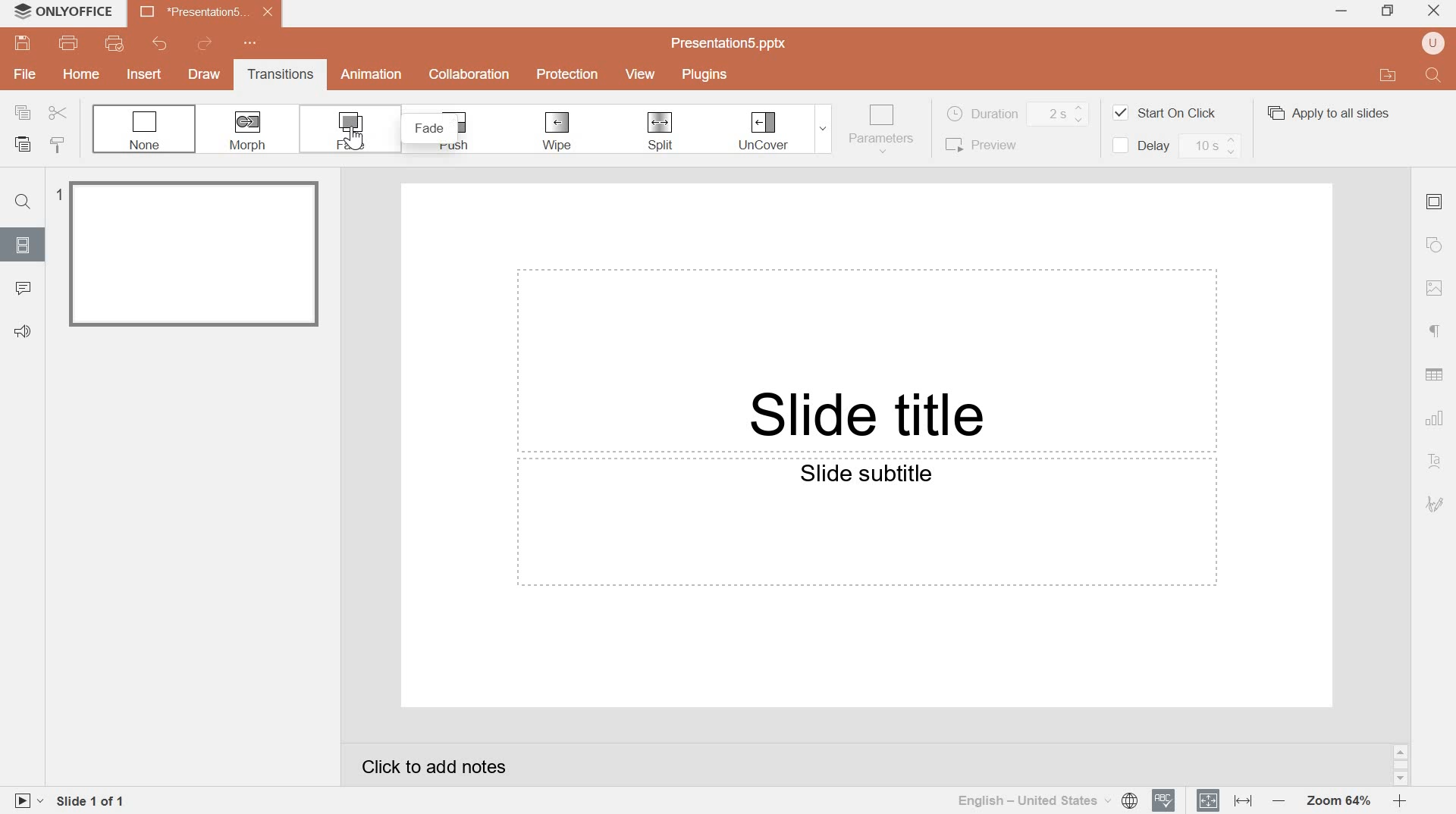 The width and height of the screenshot is (1456, 814). What do you see at coordinates (1164, 800) in the screenshot?
I see `spell checking` at bounding box center [1164, 800].